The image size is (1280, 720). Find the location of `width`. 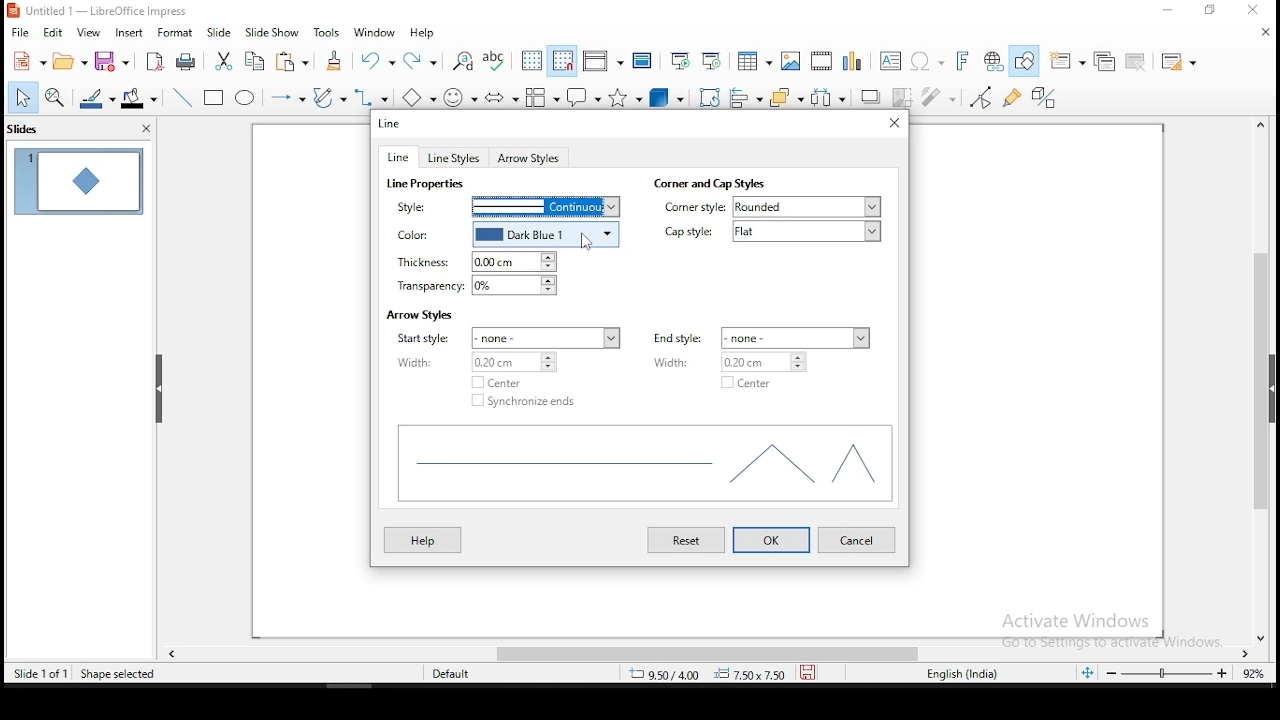

width is located at coordinates (425, 363).